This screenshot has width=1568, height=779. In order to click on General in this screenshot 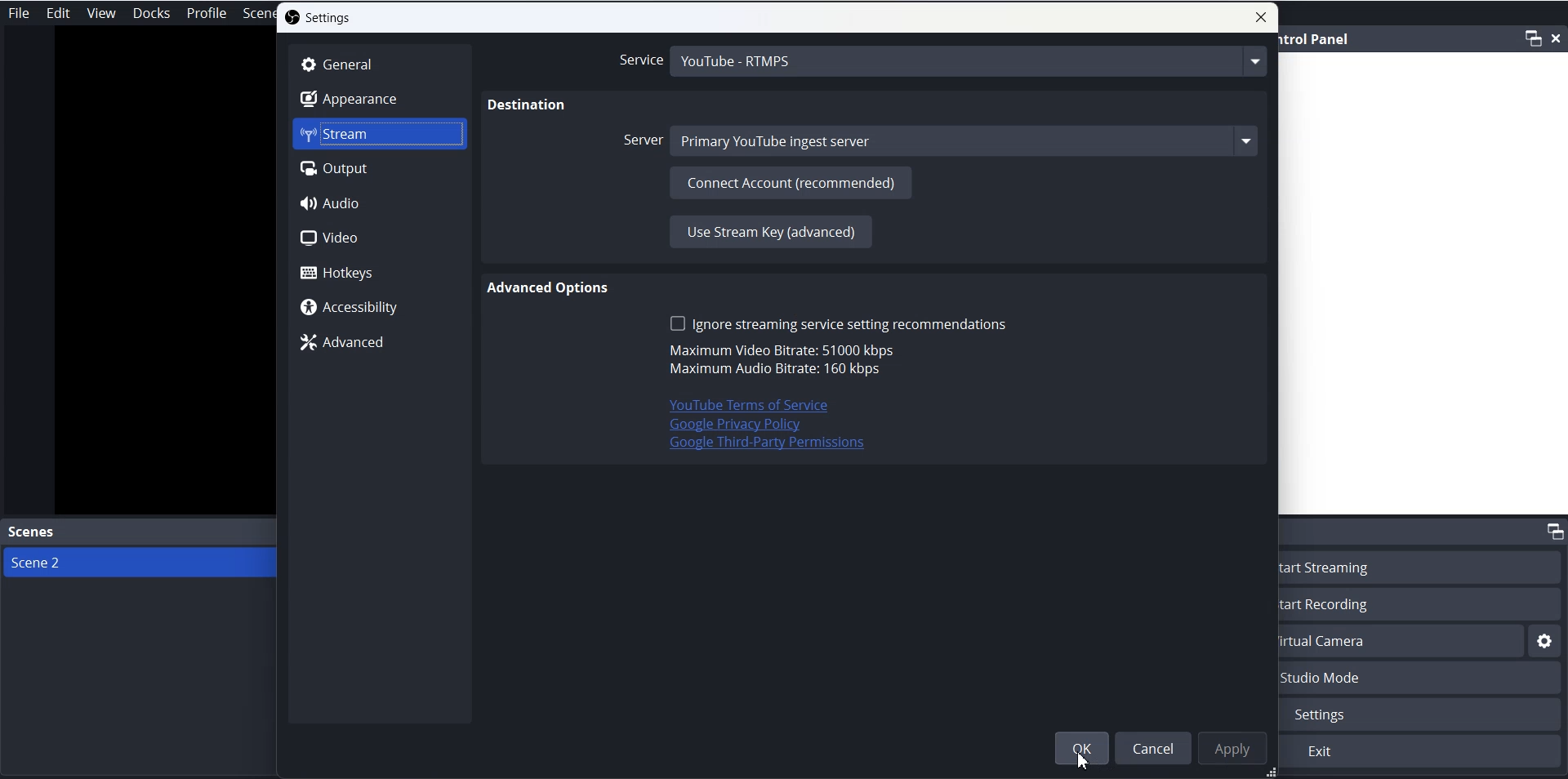, I will do `click(380, 65)`.